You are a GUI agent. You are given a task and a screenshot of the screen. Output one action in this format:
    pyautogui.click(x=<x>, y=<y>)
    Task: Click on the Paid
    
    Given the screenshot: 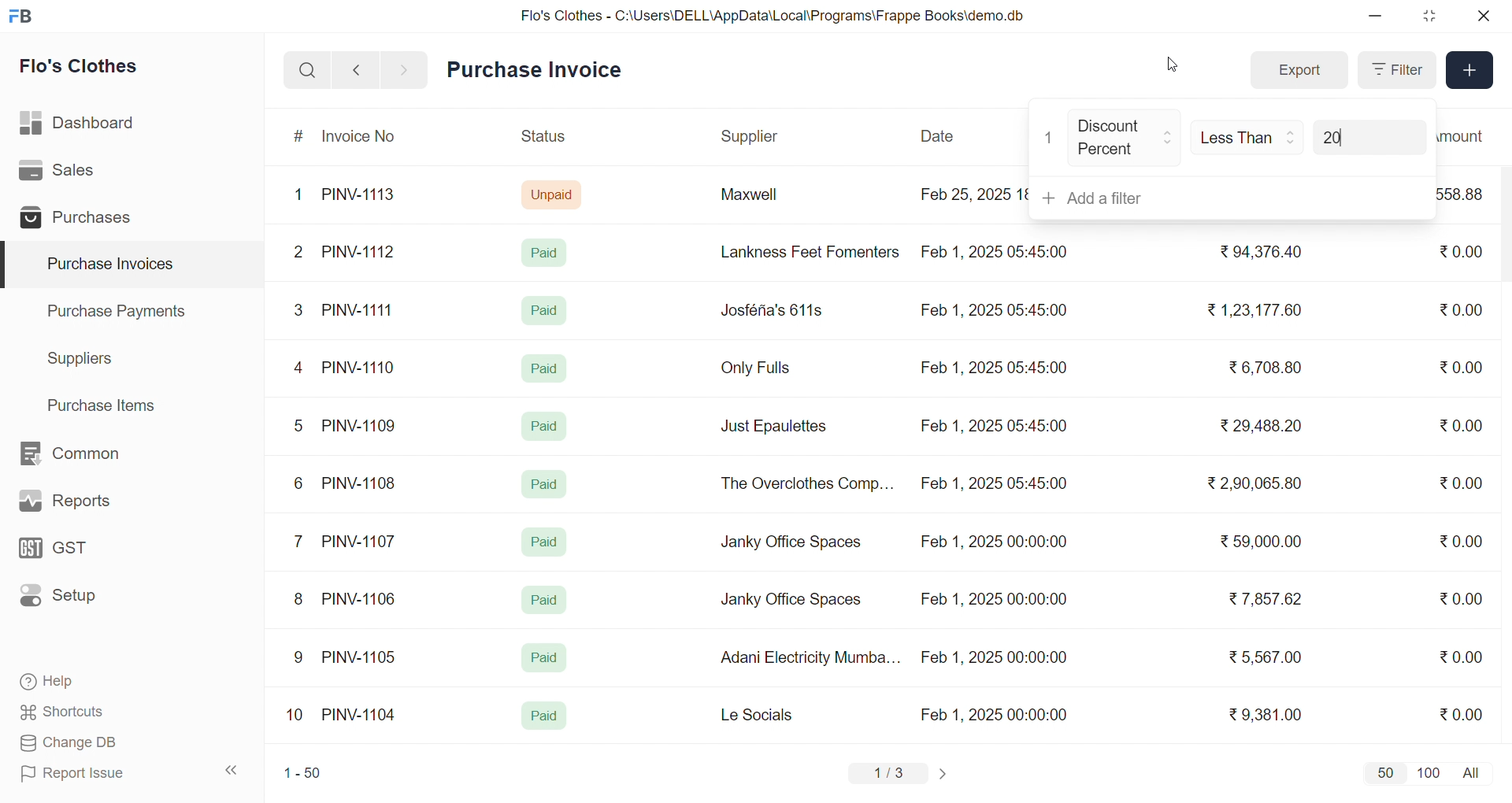 What is the action you would take?
    pyautogui.click(x=545, y=484)
    